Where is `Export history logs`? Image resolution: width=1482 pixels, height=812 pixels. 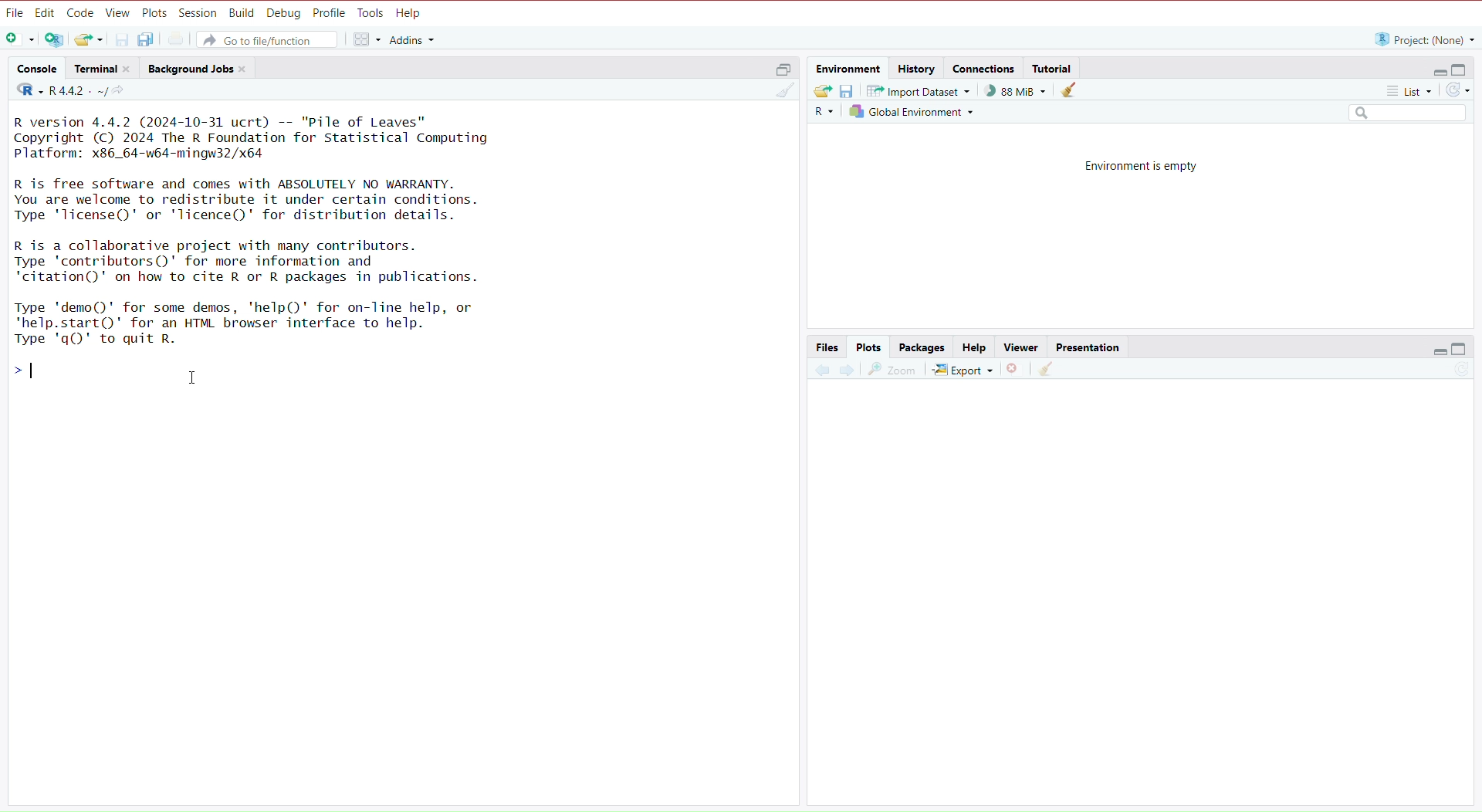 Export history logs is located at coordinates (822, 91).